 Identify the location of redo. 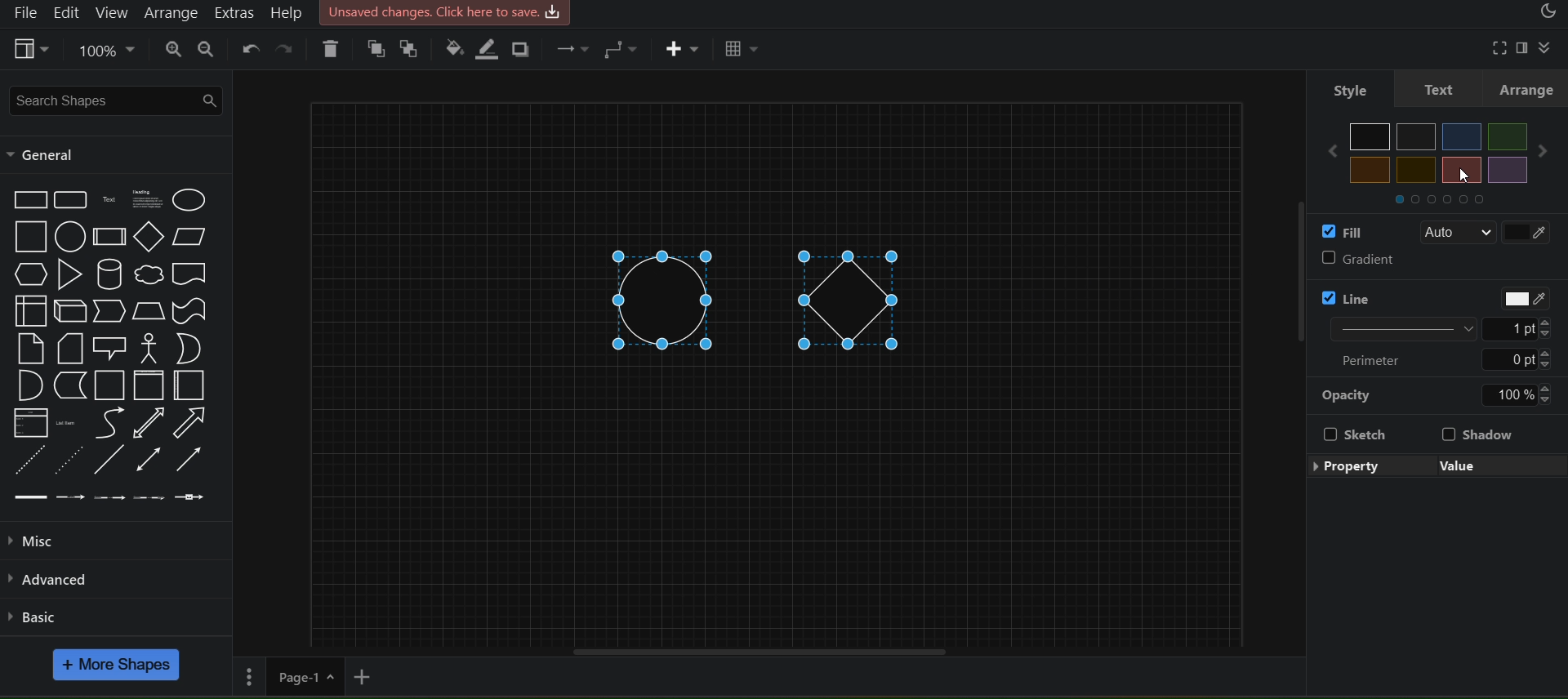
(287, 47).